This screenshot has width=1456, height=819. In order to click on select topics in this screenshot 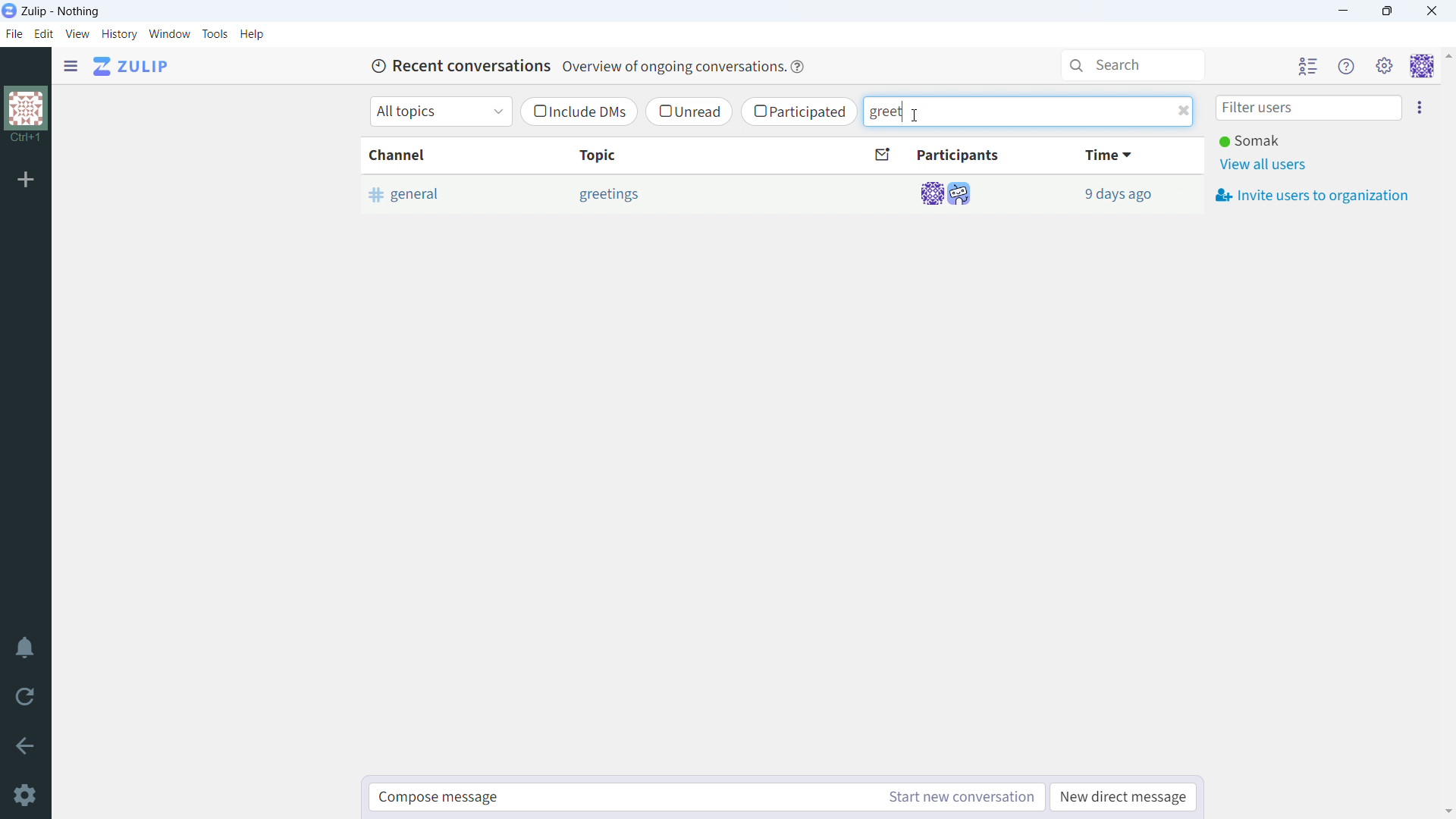, I will do `click(441, 111)`.